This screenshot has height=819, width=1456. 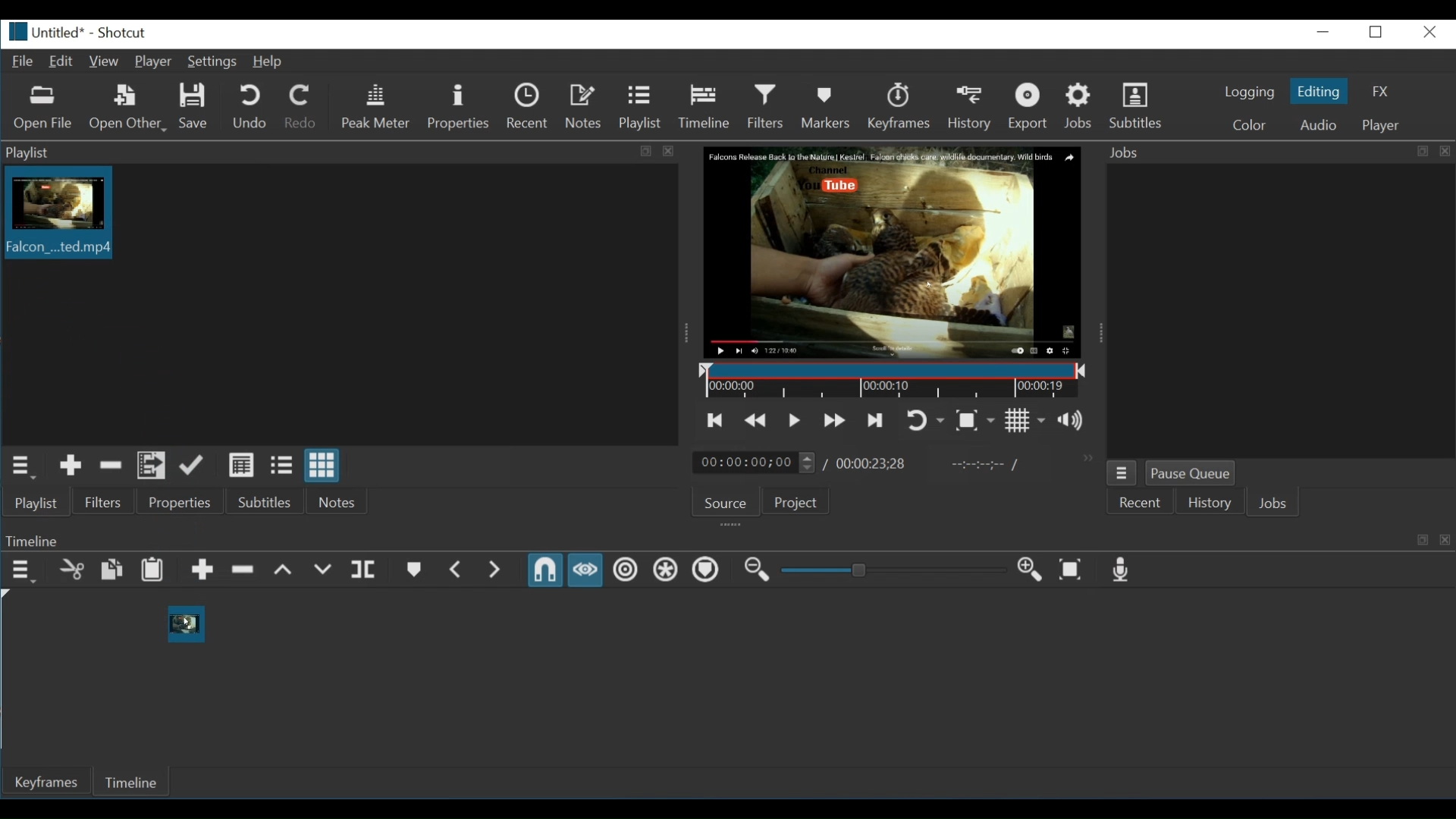 What do you see at coordinates (625, 570) in the screenshot?
I see `Ripple` at bounding box center [625, 570].